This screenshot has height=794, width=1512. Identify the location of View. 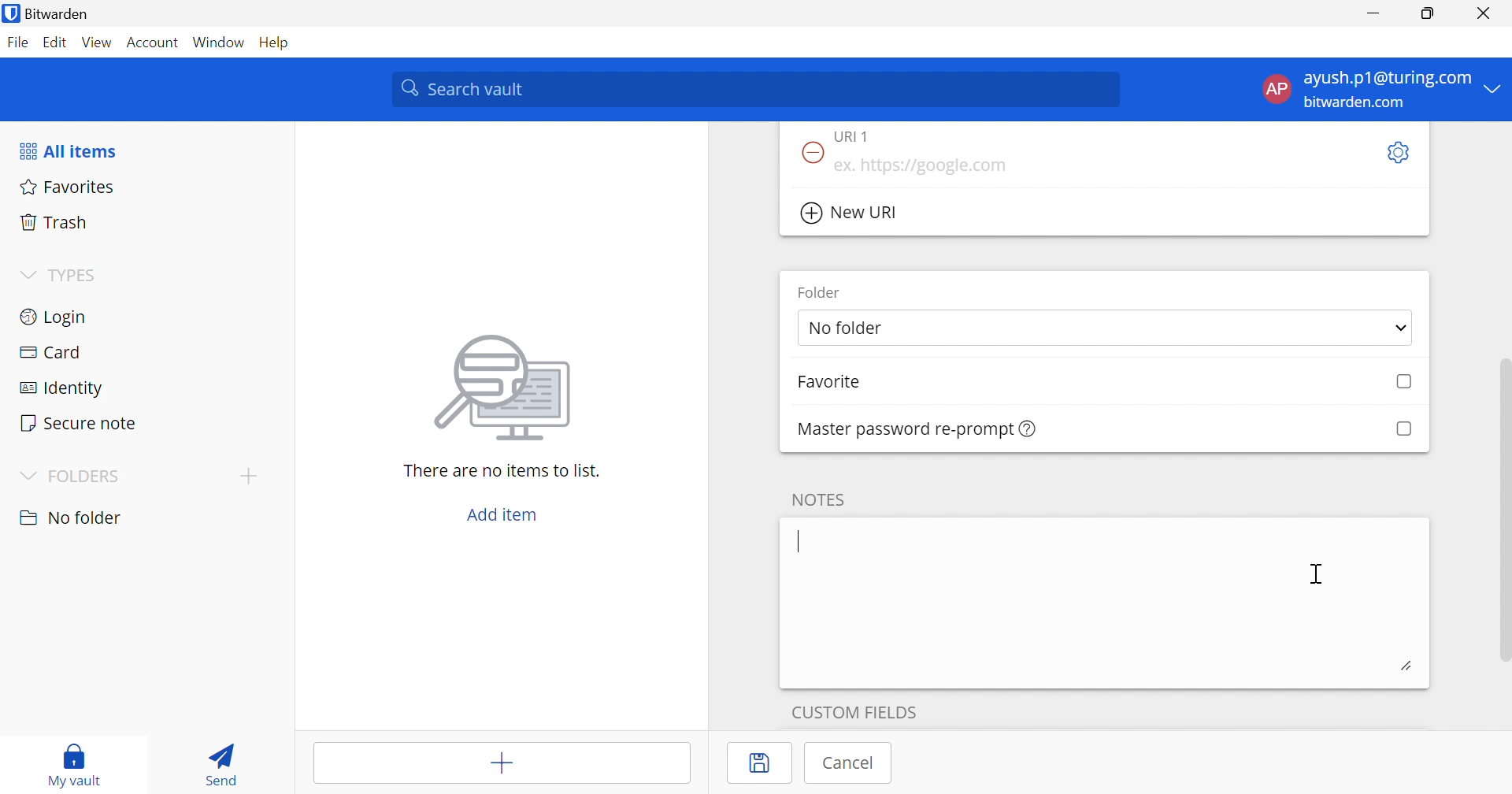
(96, 42).